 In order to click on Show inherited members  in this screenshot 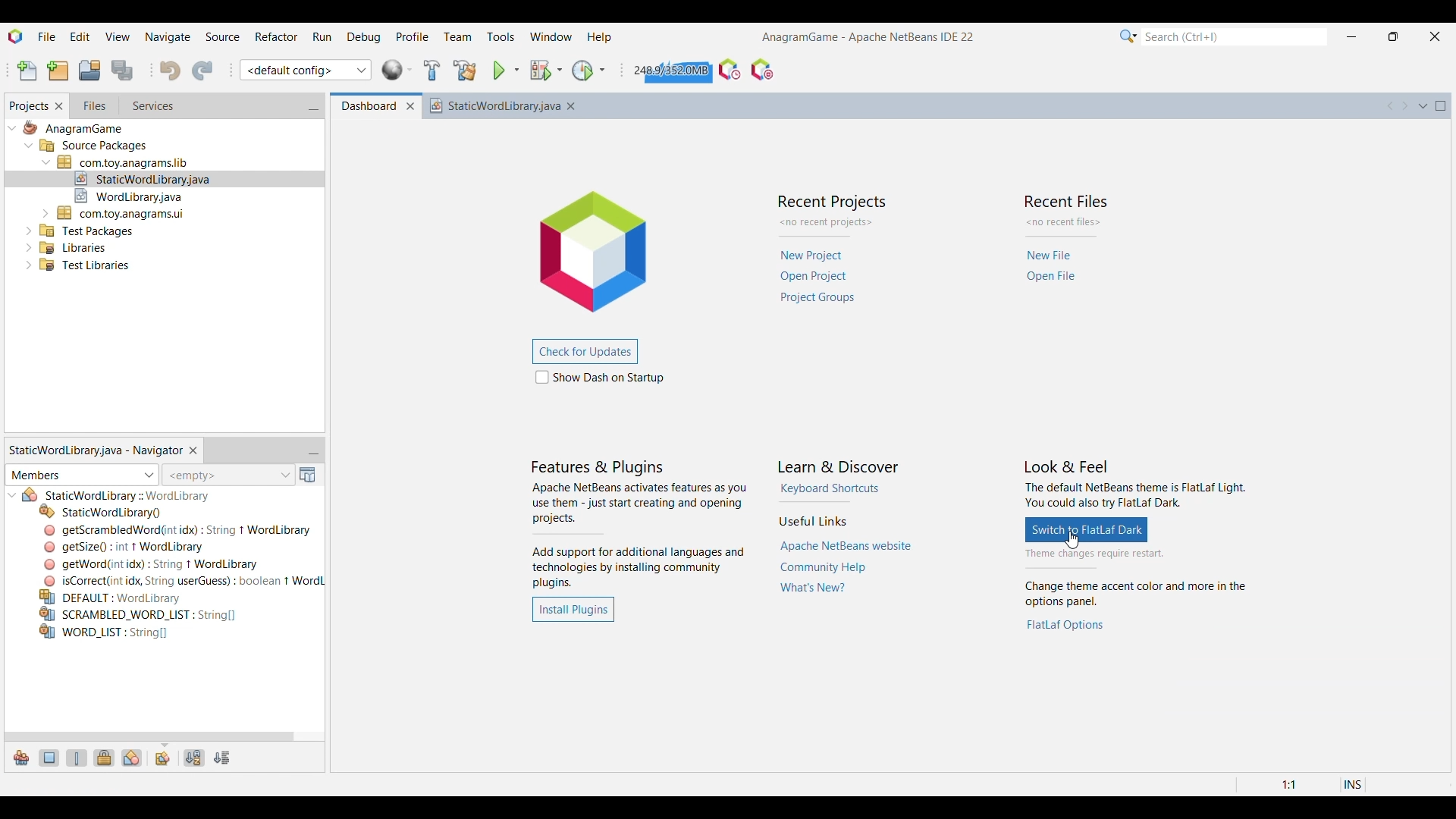, I will do `click(21, 758)`.